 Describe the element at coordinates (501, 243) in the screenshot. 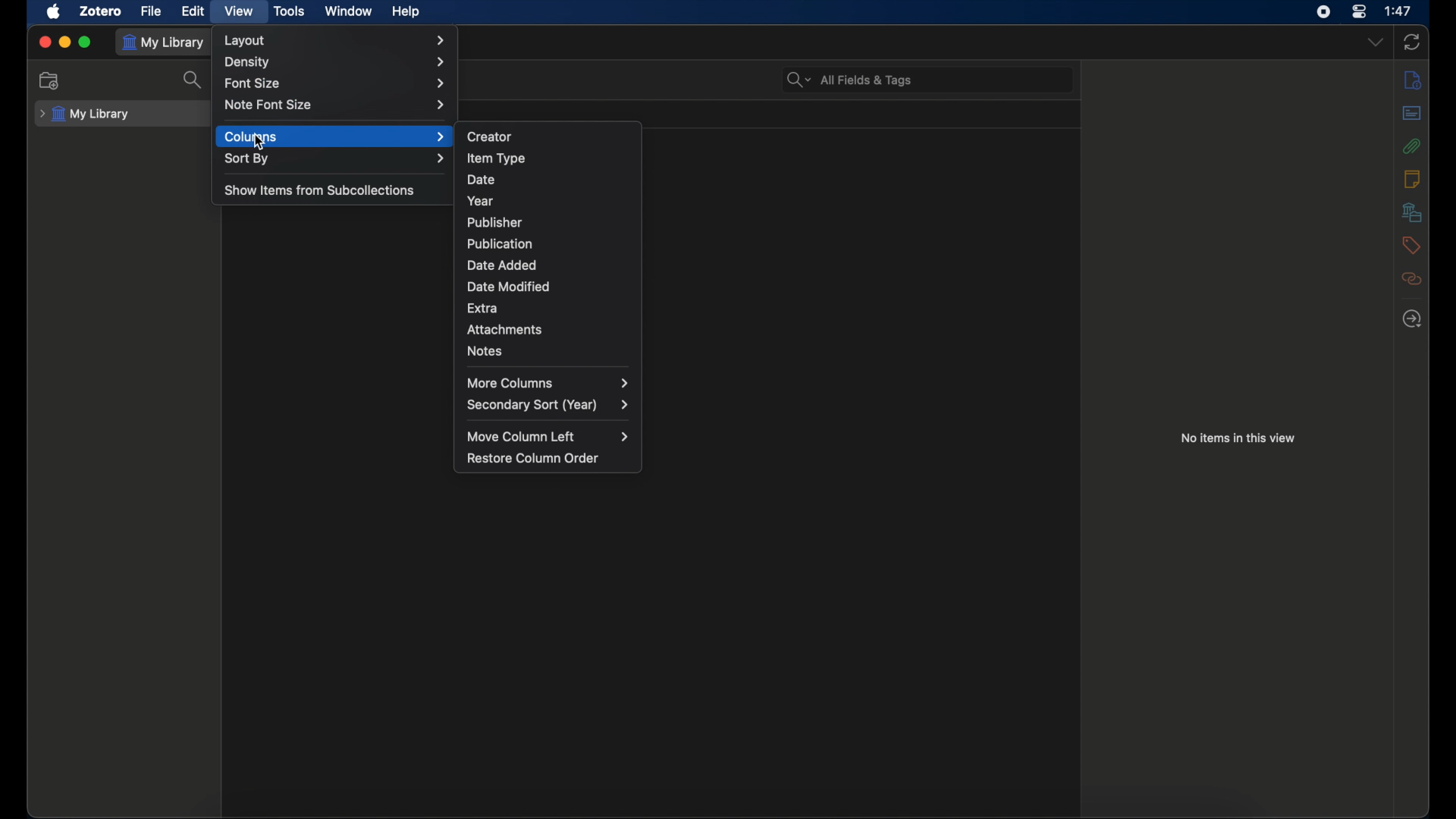

I see `publication` at that location.